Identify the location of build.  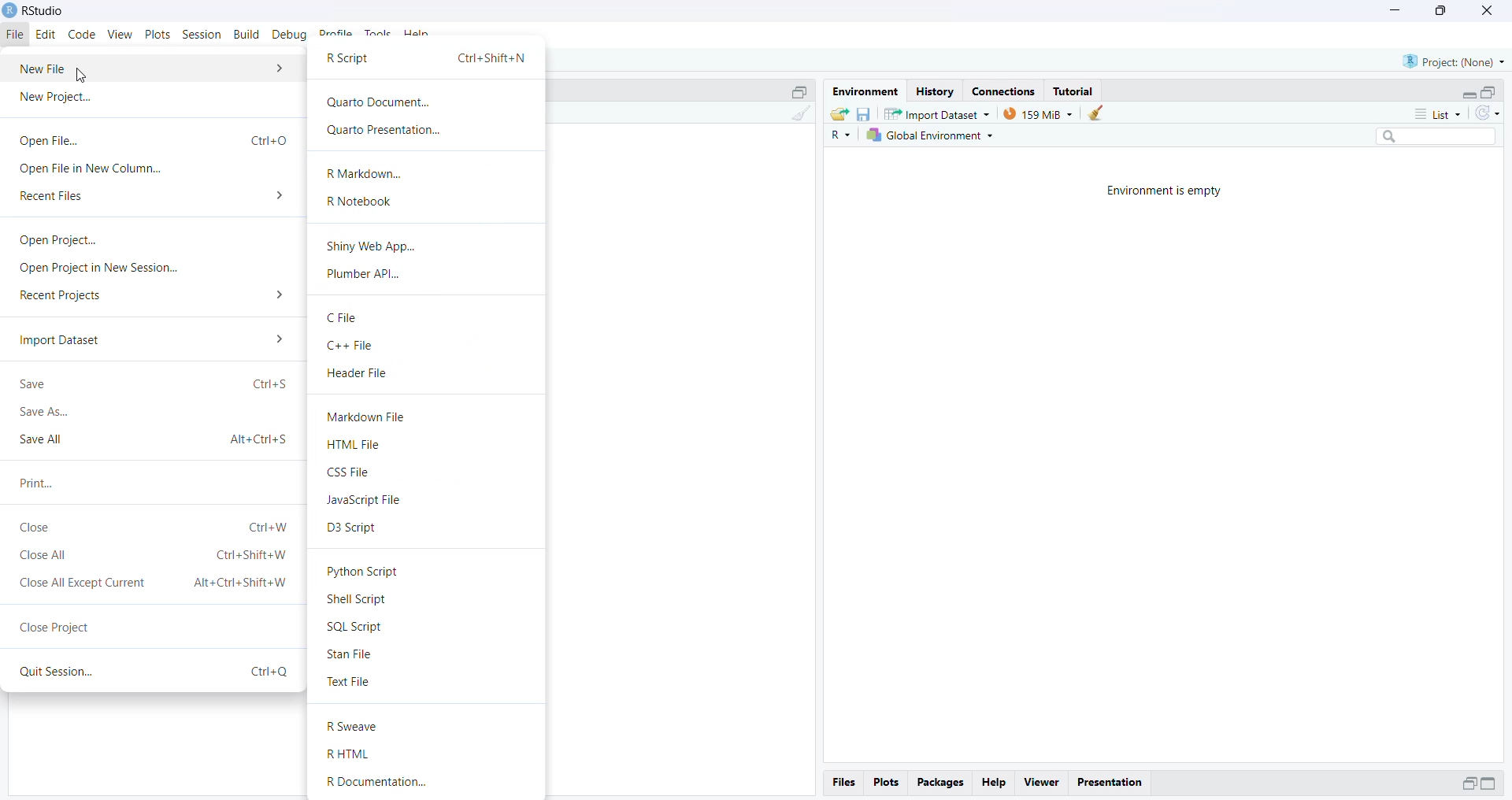
(248, 35).